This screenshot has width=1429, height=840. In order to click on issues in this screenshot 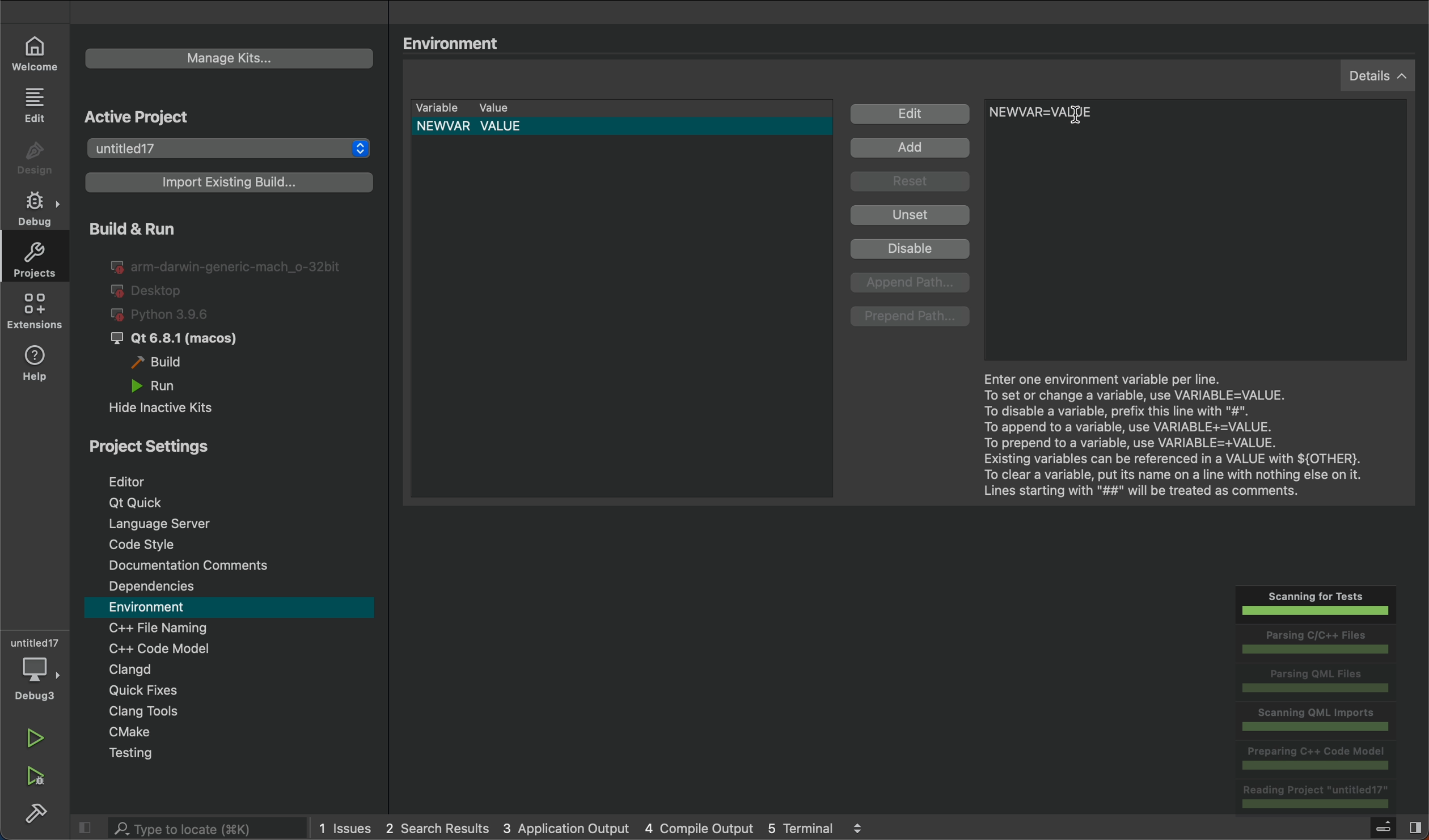, I will do `click(346, 827)`.